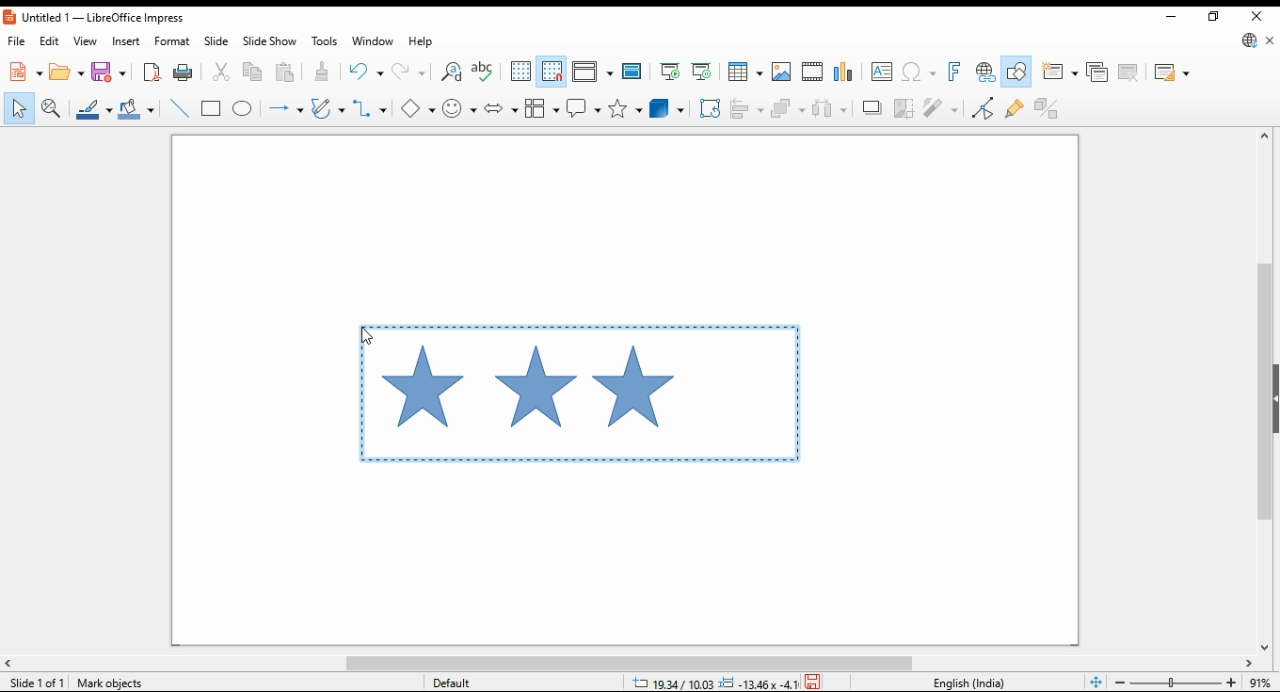 This screenshot has width=1280, height=692. I want to click on lines and arrows, so click(286, 108).